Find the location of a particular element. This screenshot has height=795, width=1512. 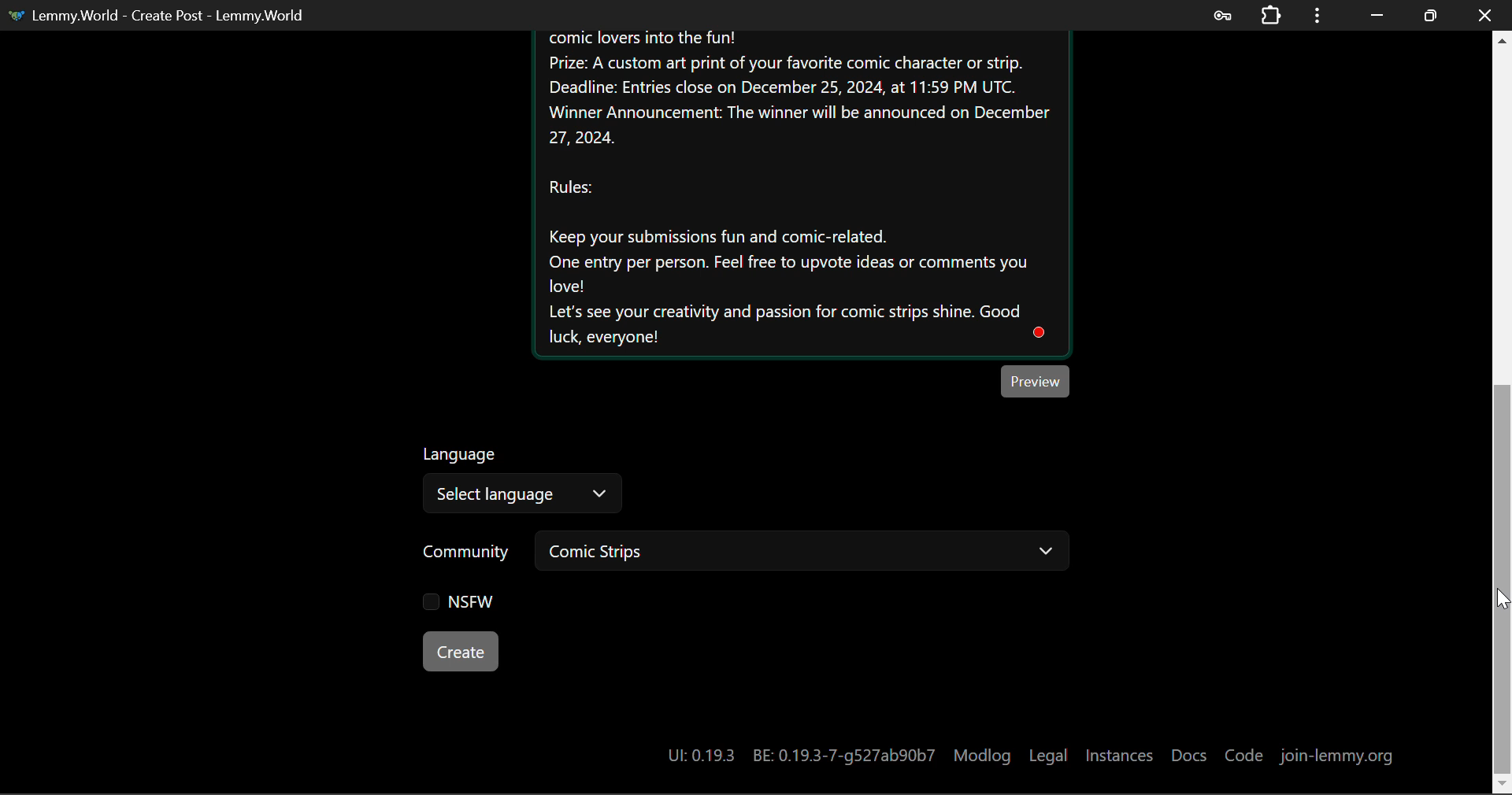

join-lemmy.org is located at coordinates (1334, 758).